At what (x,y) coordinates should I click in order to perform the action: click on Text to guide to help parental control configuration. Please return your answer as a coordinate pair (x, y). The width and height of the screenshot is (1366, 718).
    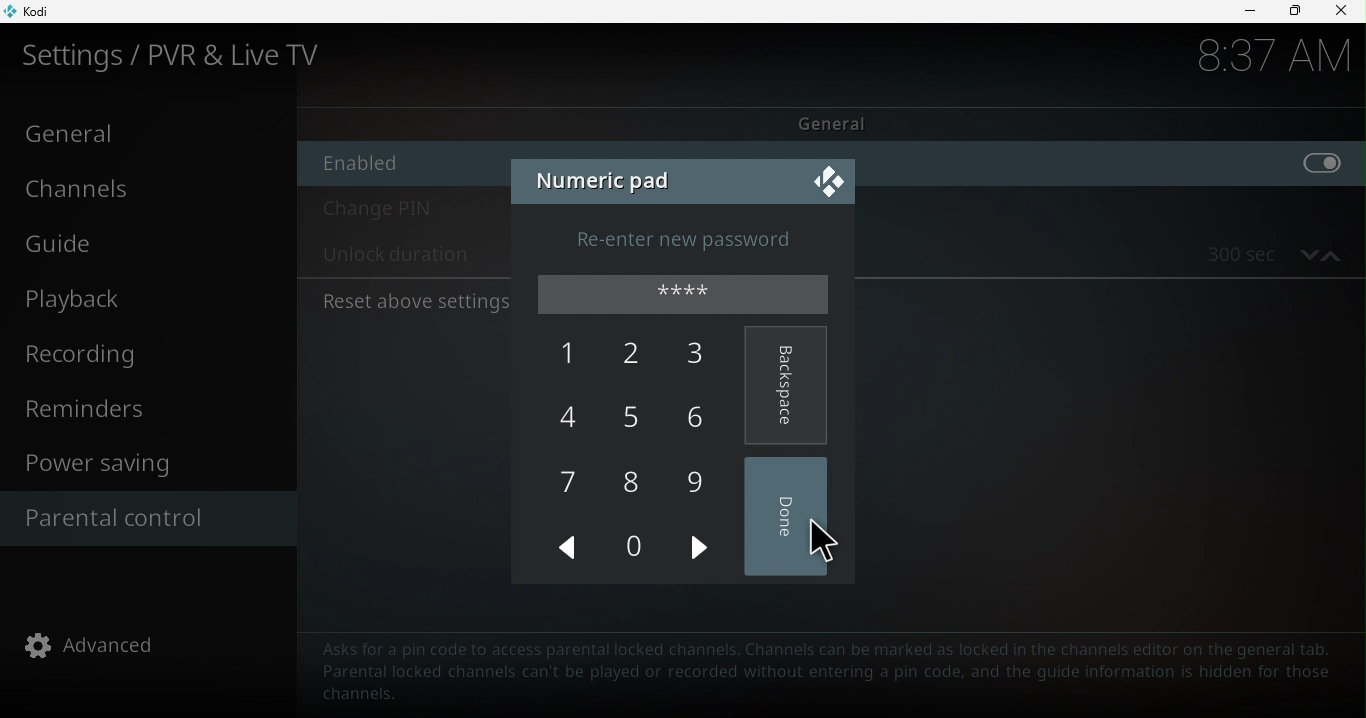
    Looking at the image, I should click on (828, 672).